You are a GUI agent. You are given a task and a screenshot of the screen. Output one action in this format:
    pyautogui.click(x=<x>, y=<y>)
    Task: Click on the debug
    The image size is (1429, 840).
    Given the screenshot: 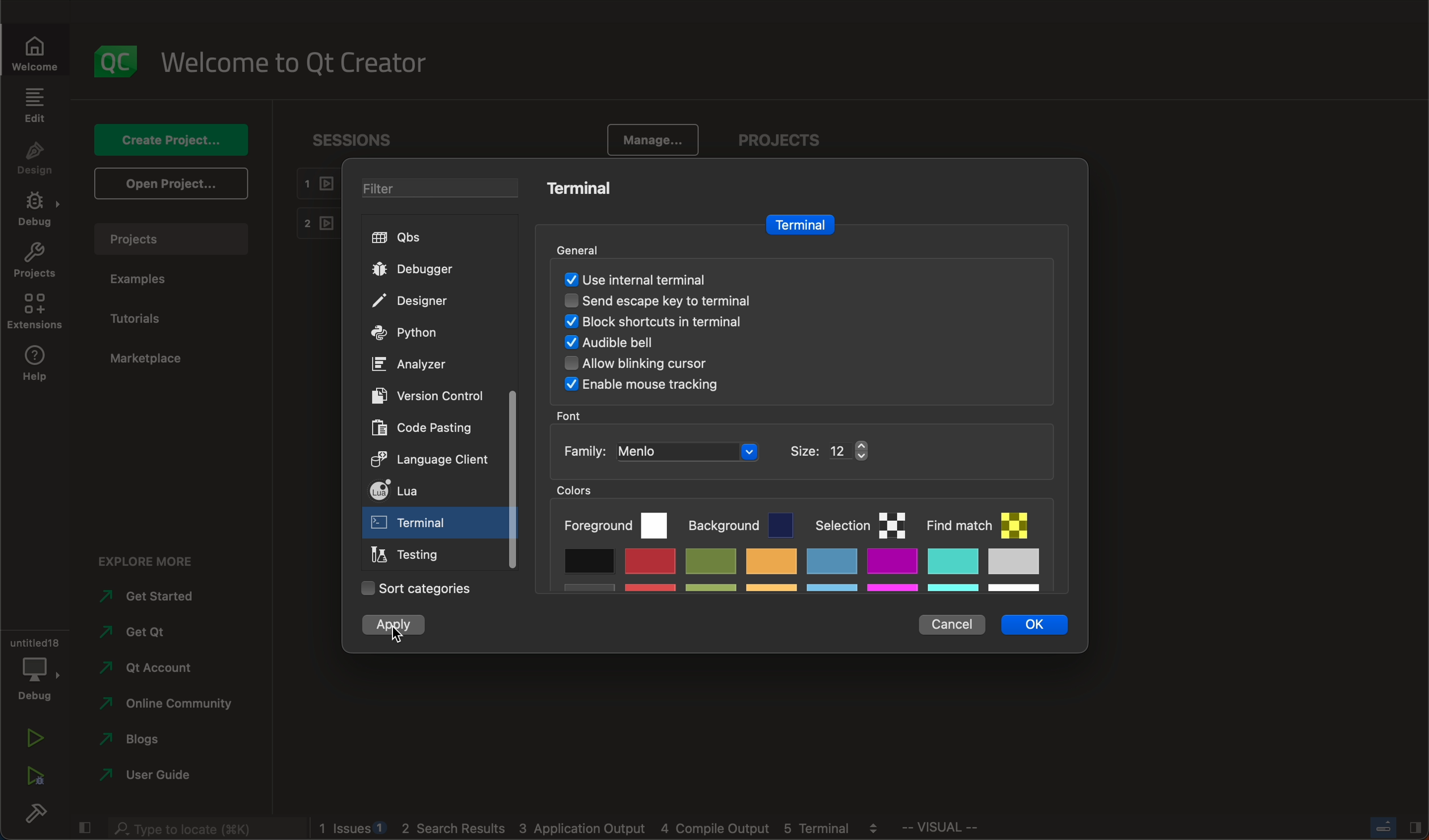 What is the action you would take?
    pyautogui.click(x=35, y=669)
    